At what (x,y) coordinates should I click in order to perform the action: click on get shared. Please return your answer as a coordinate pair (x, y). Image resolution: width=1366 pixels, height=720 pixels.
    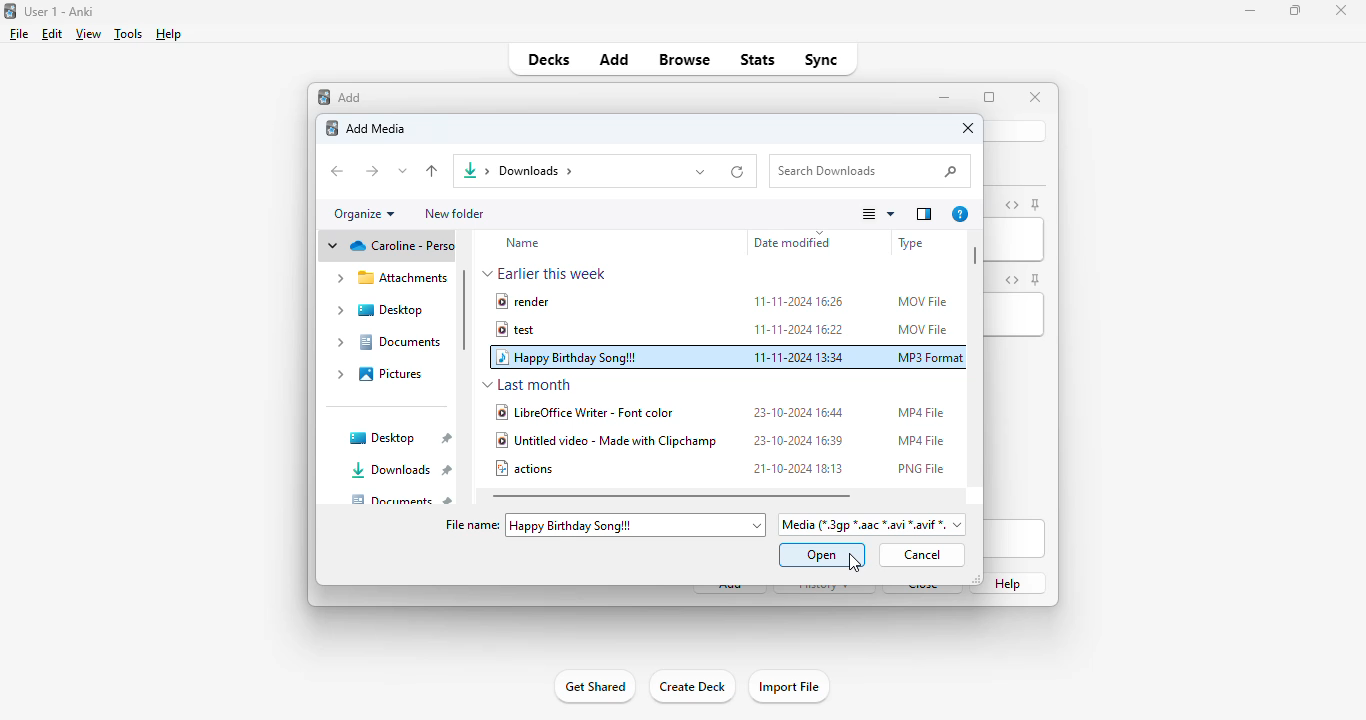
    Looking at the image, I should click on (594, 687).